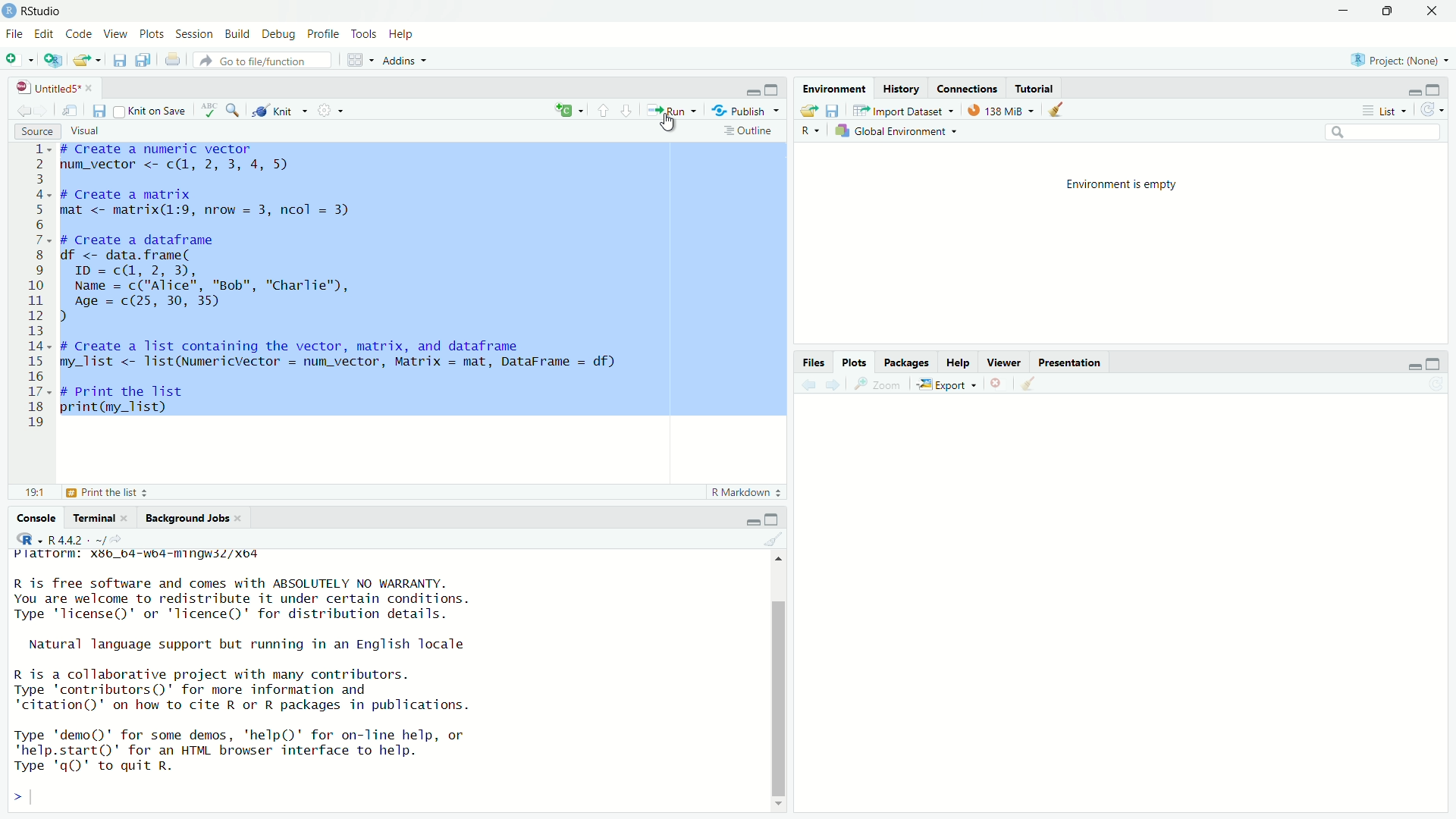 This screenshot has height=819, width=1456. What do you see at coordinates (1386, 110) in the screenshot?
I see `List ~` at bounding box center [1386, 110].